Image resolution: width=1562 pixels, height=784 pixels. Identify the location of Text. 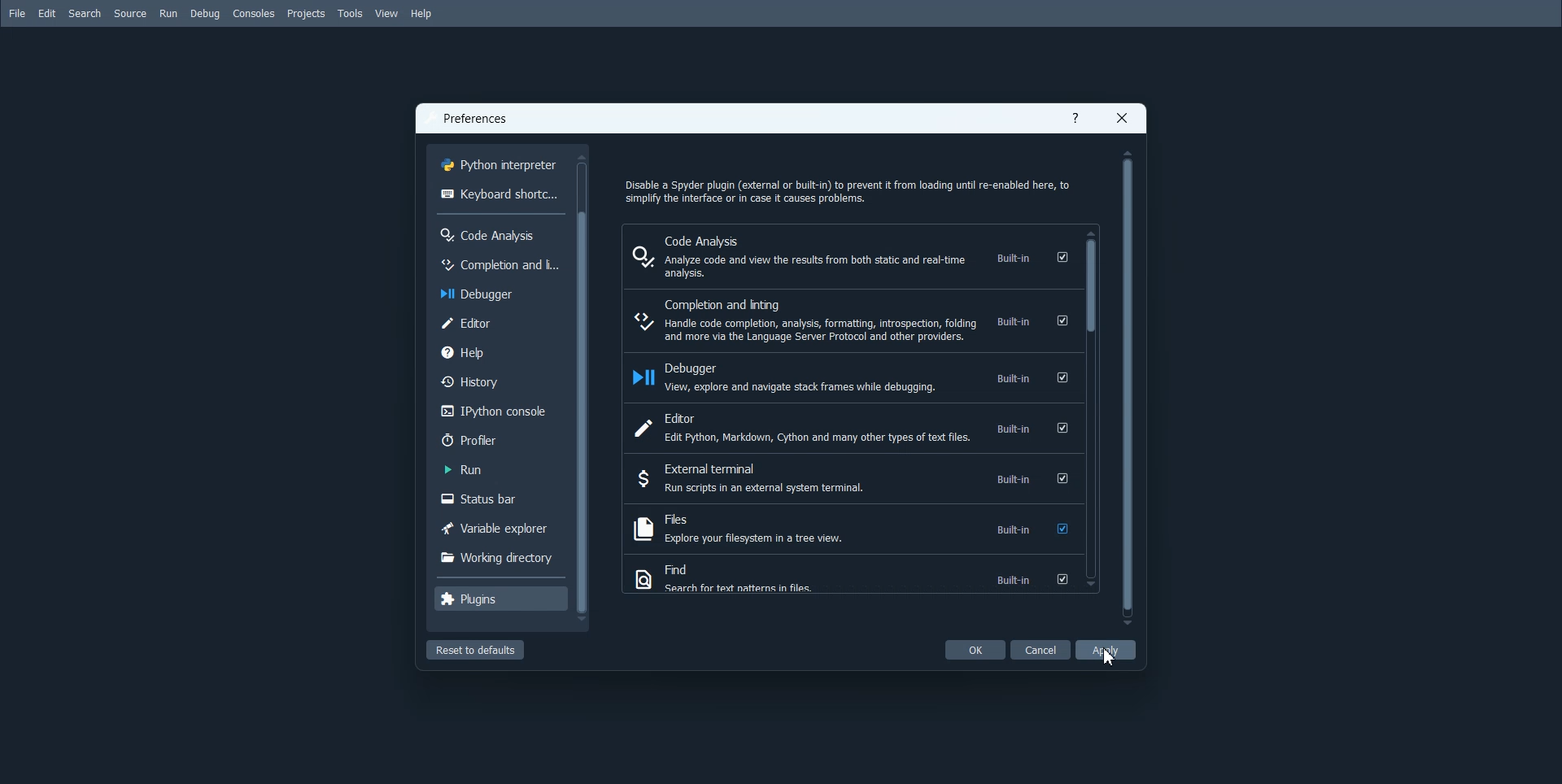
(847, 188).